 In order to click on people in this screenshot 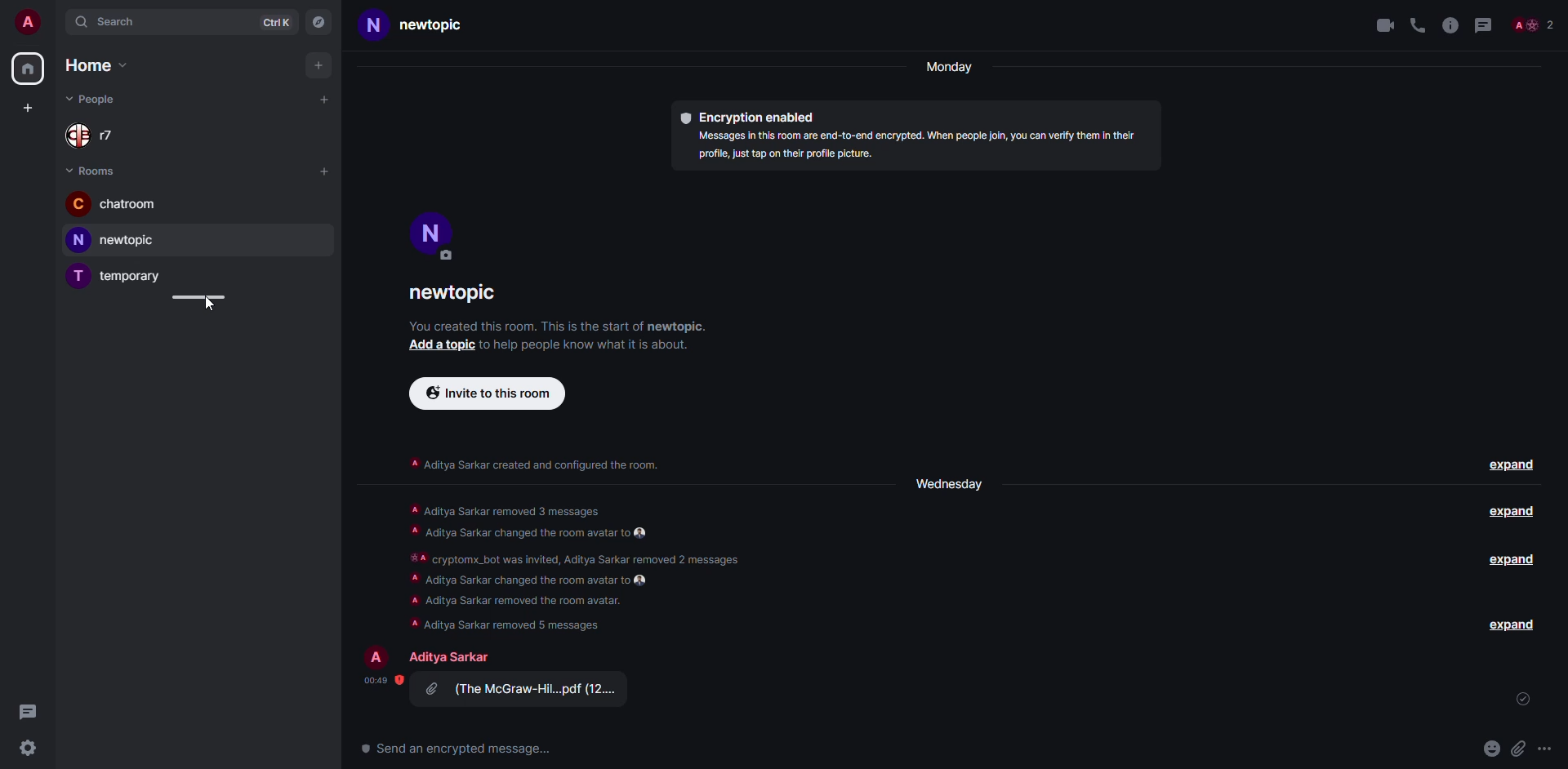, I will do `click(95, 99)`.